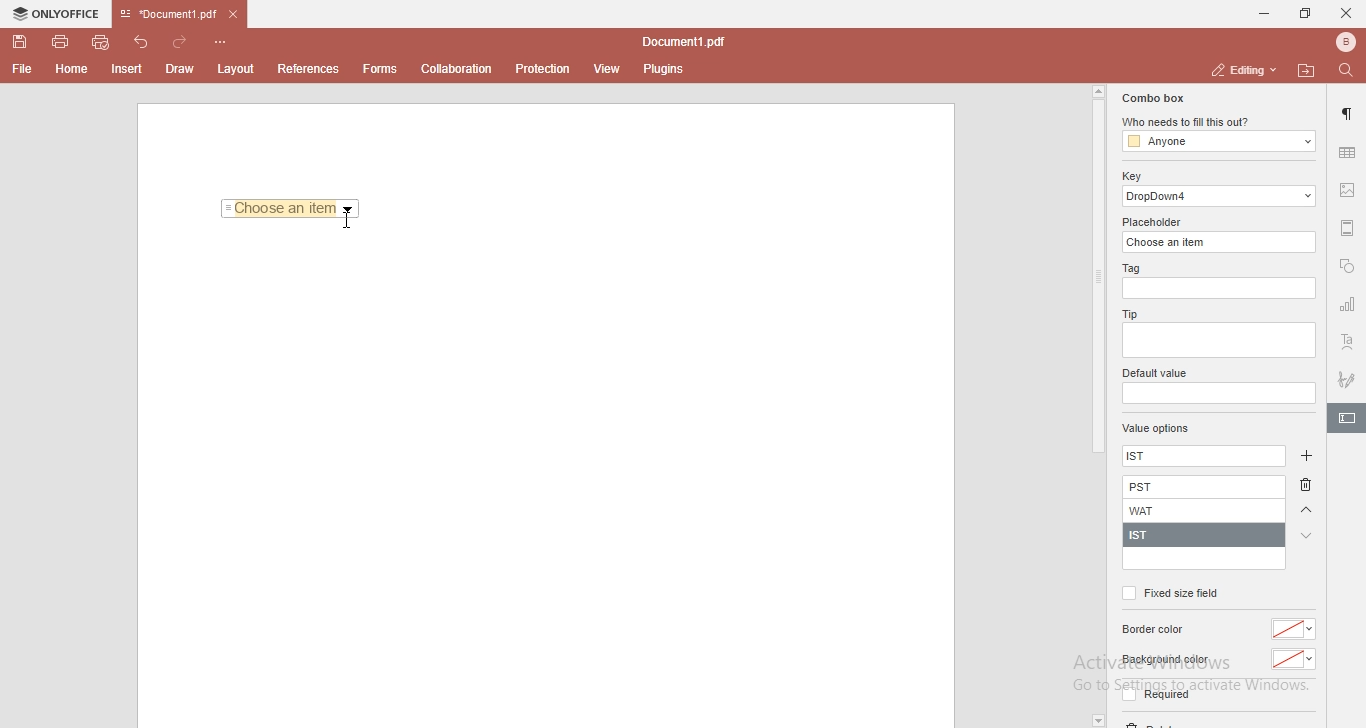  What do you see at coordinates (1169, 593) in the screenshot?
I see `fixed size field` at bounding box center [1169, 593].